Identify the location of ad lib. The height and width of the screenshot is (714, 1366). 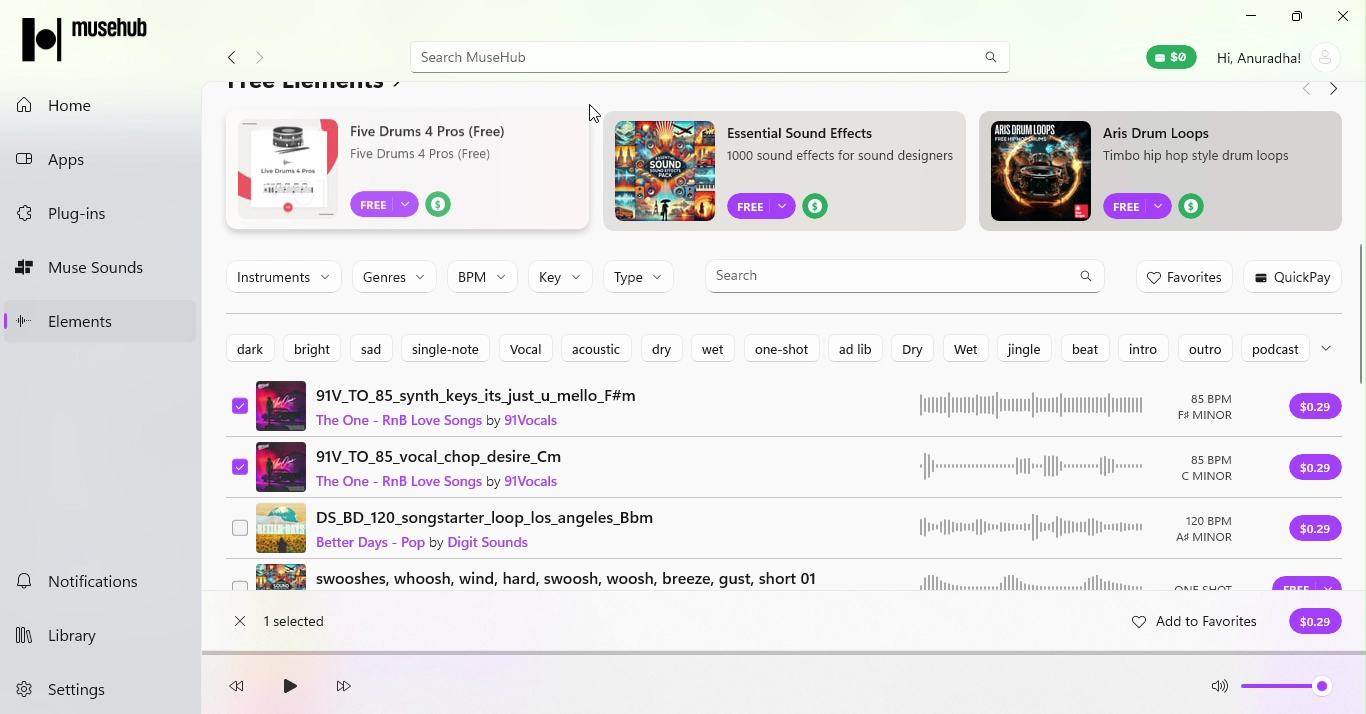
(852, 347).